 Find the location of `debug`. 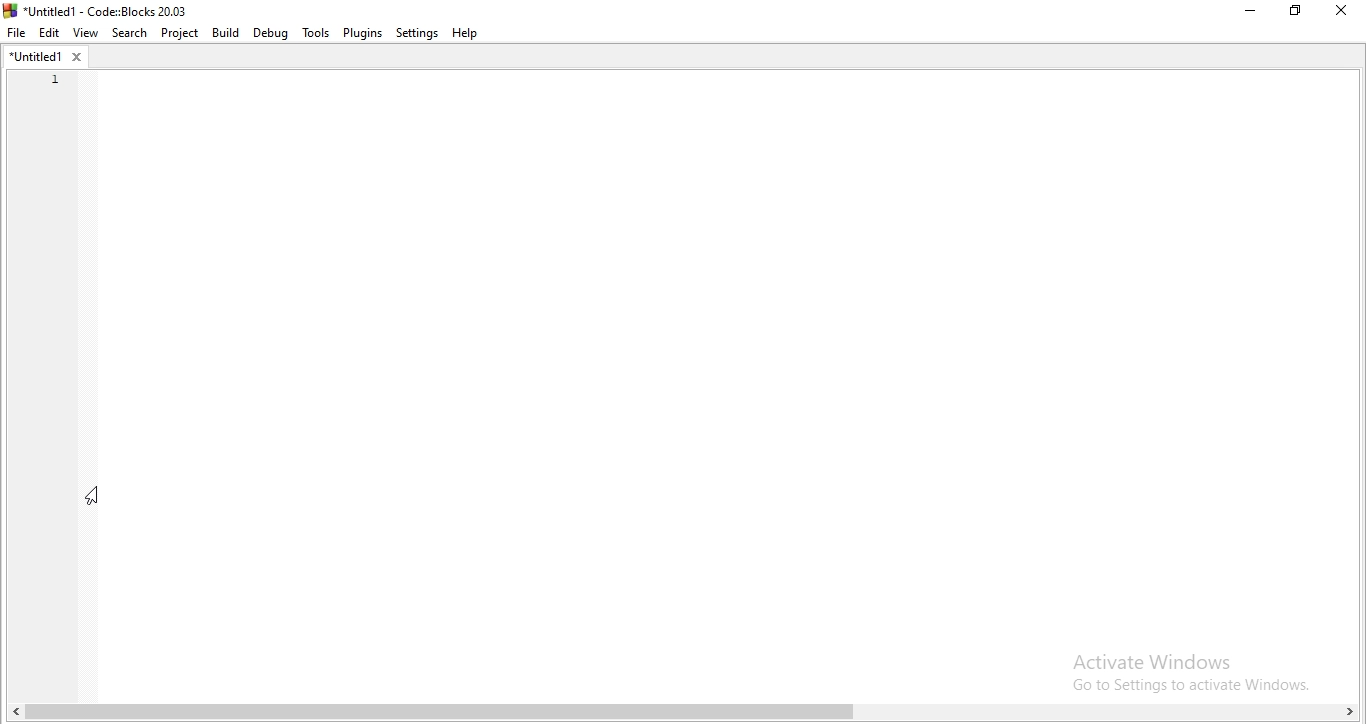

debug is located at coordinates (269, 33).